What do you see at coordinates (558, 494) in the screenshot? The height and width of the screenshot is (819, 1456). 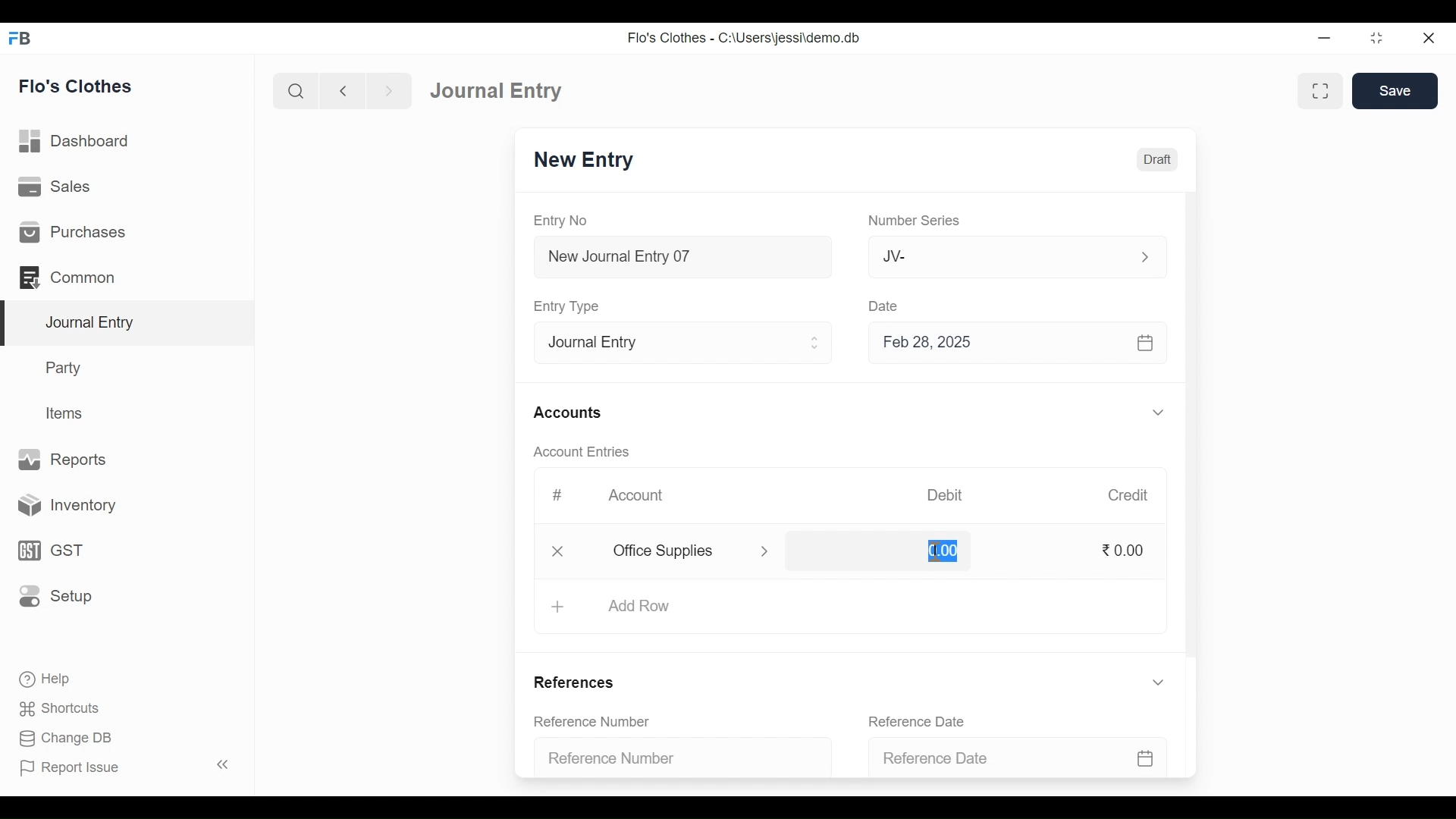 I see `#` at bounding box center [558, 494].